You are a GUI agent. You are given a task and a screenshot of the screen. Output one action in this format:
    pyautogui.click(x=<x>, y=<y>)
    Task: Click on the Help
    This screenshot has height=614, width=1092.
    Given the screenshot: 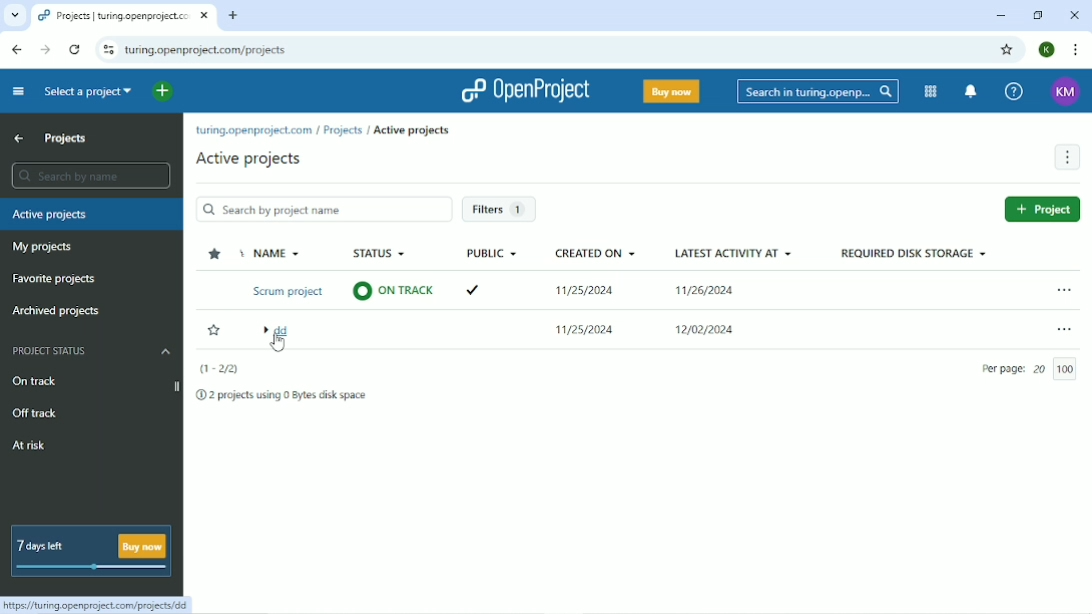 What is the action you would take?
    pyautogui.click(x=1015, y=90)
    